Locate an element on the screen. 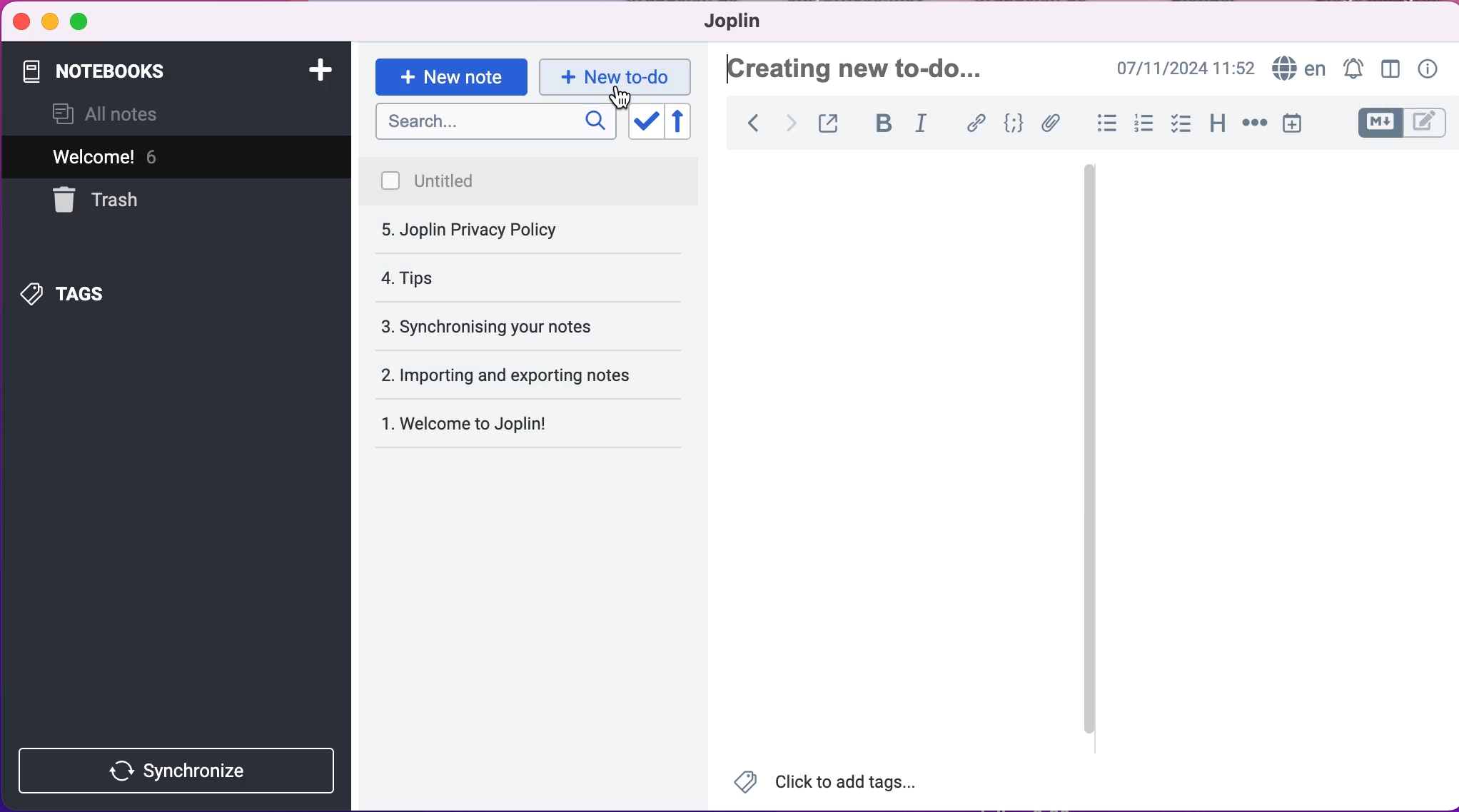 This screenshot has width=1459, height=812. reverse sort order is located at coordinates (687, 122).